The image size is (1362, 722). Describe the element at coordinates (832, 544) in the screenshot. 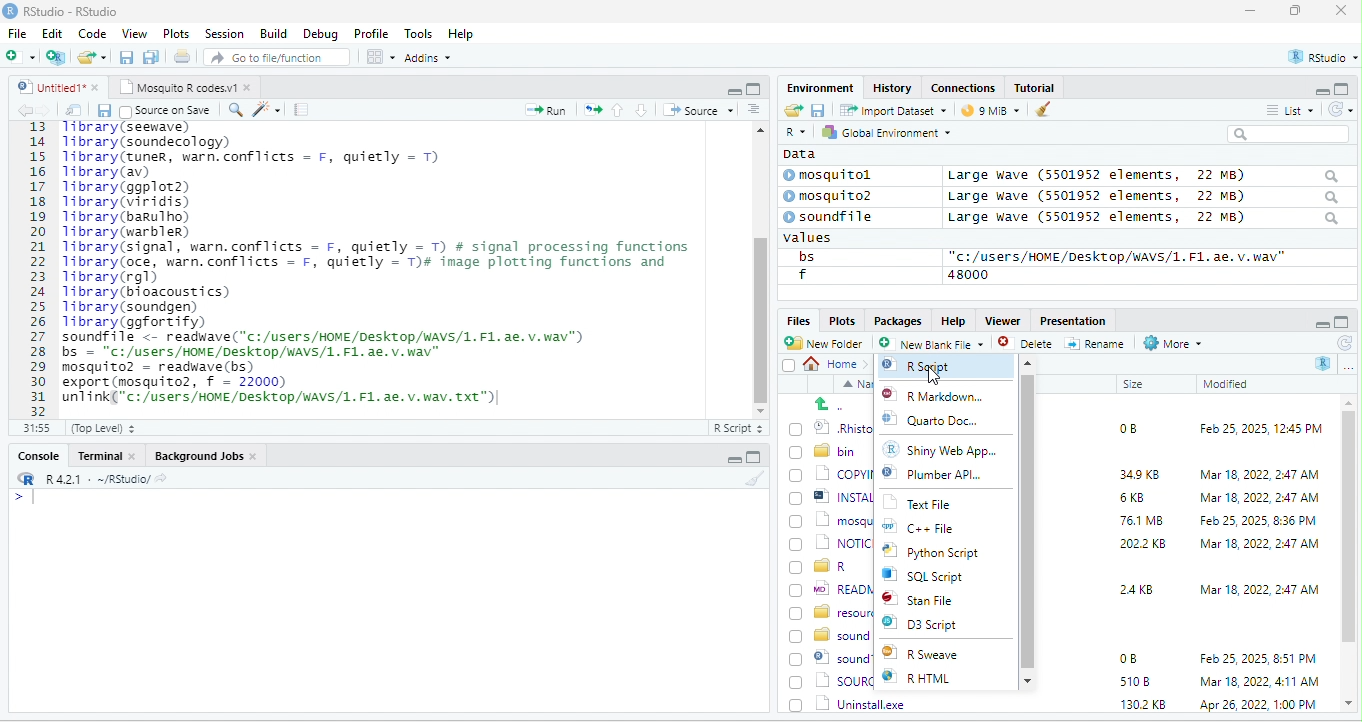

I see `(7) 1 NOTICE` at that location.